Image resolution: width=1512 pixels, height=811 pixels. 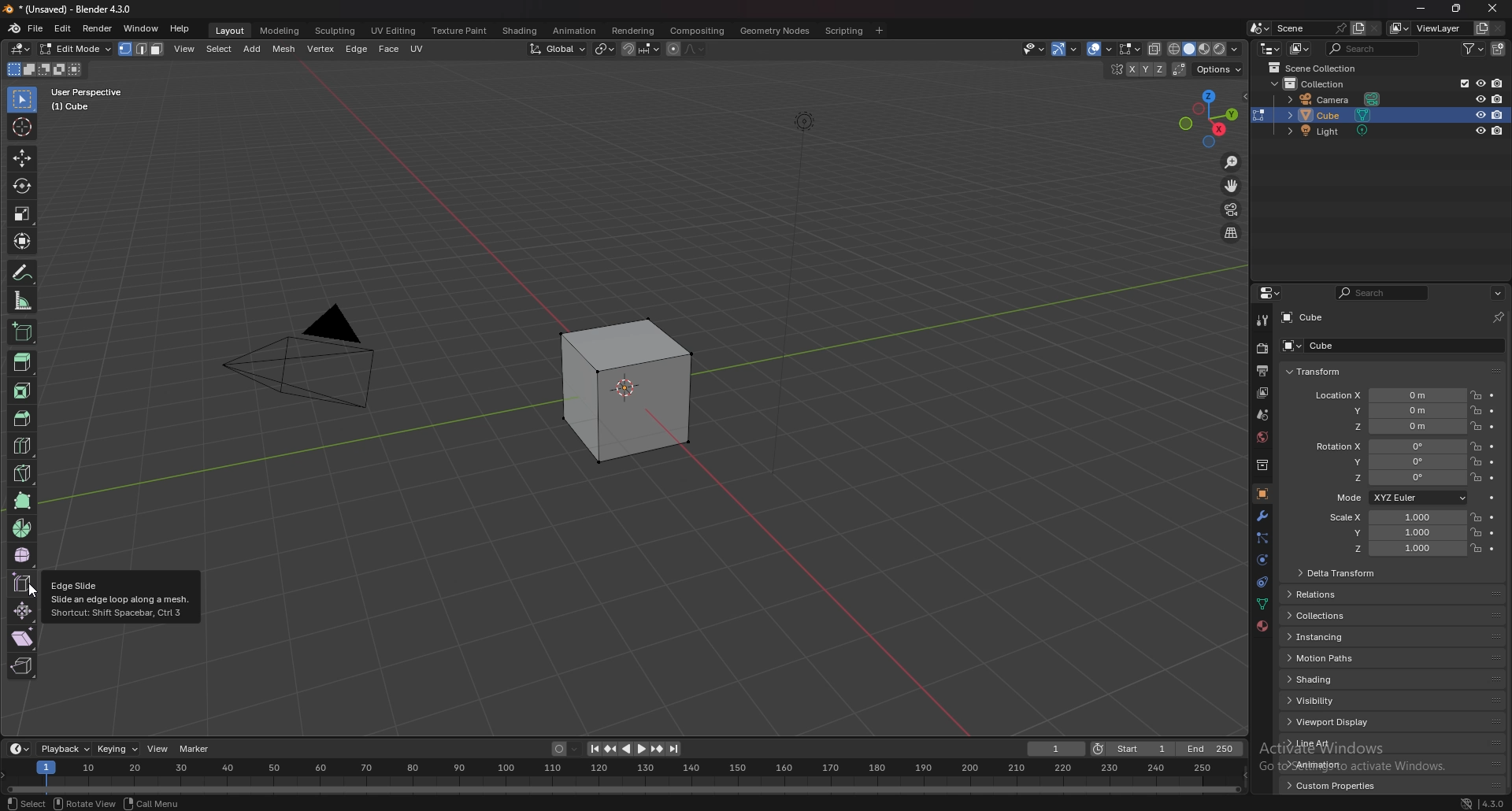 I want to click on title, so click(x=75, y=9).